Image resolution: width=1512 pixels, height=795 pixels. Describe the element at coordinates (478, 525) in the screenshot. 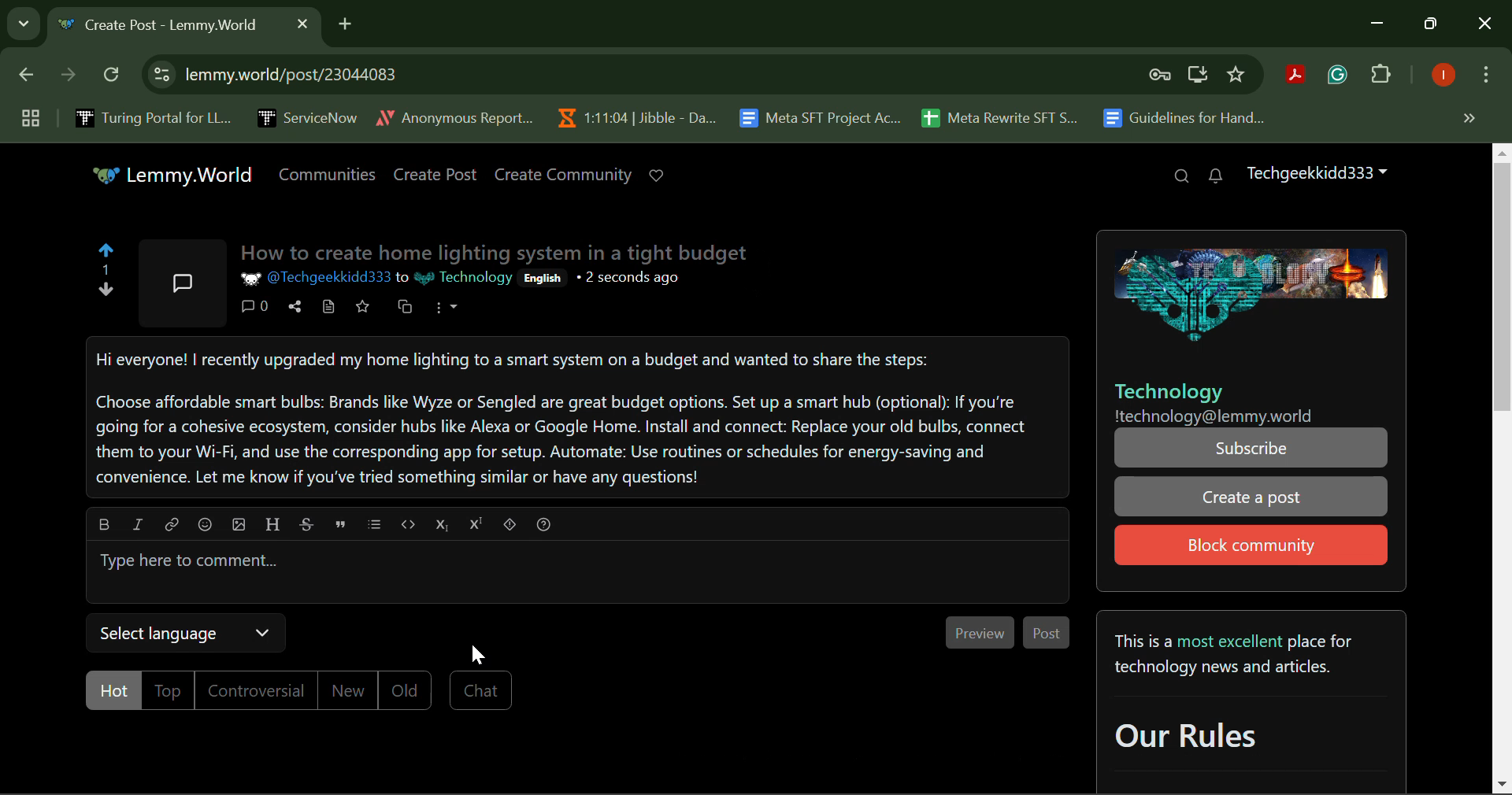

I see `superscript` at that location.